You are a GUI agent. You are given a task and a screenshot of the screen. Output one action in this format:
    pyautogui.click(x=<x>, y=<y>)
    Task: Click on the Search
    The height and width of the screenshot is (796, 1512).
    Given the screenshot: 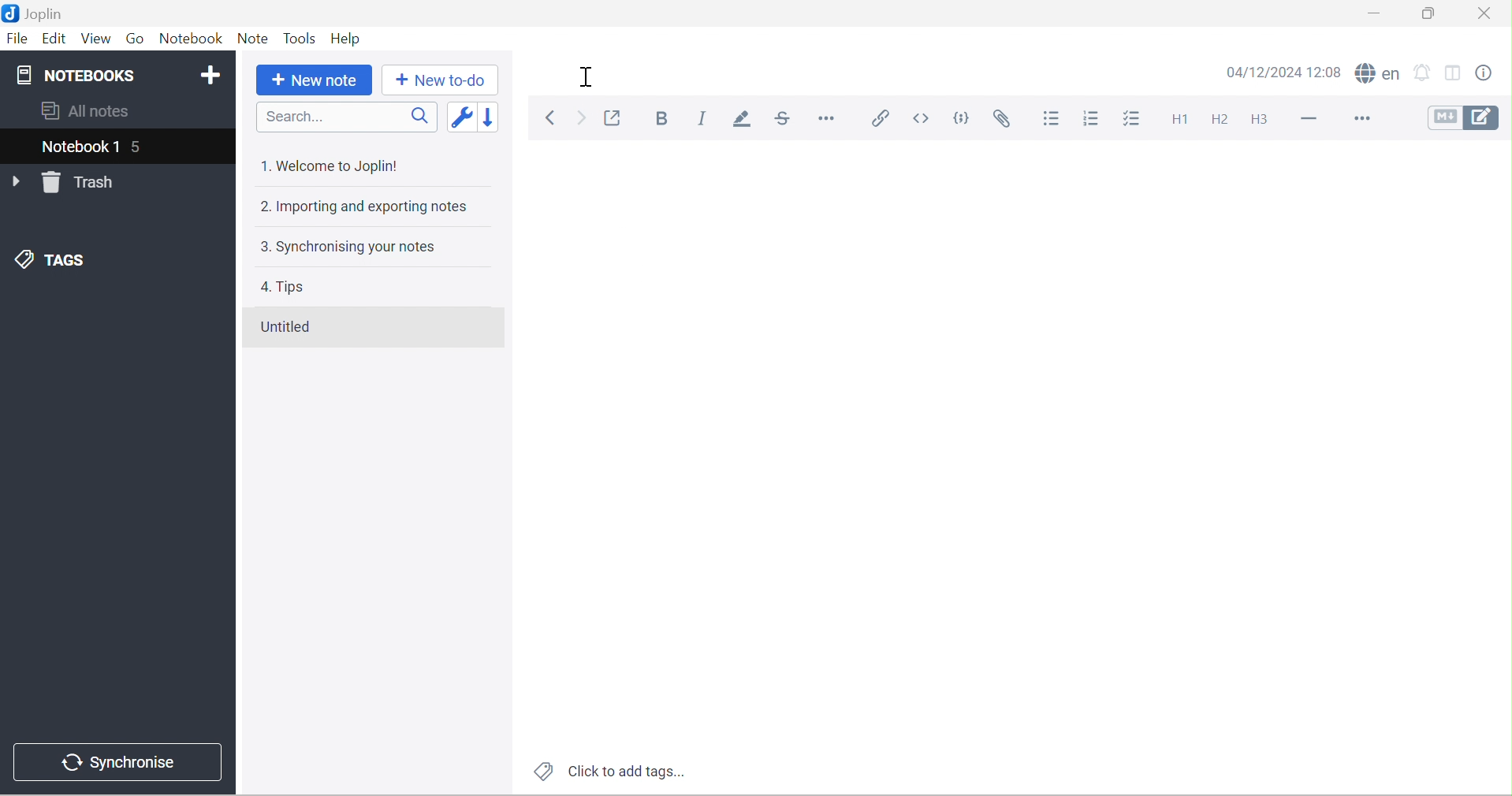 What is the action you would take?
    pyautogui.click(x=348, y=118)
    